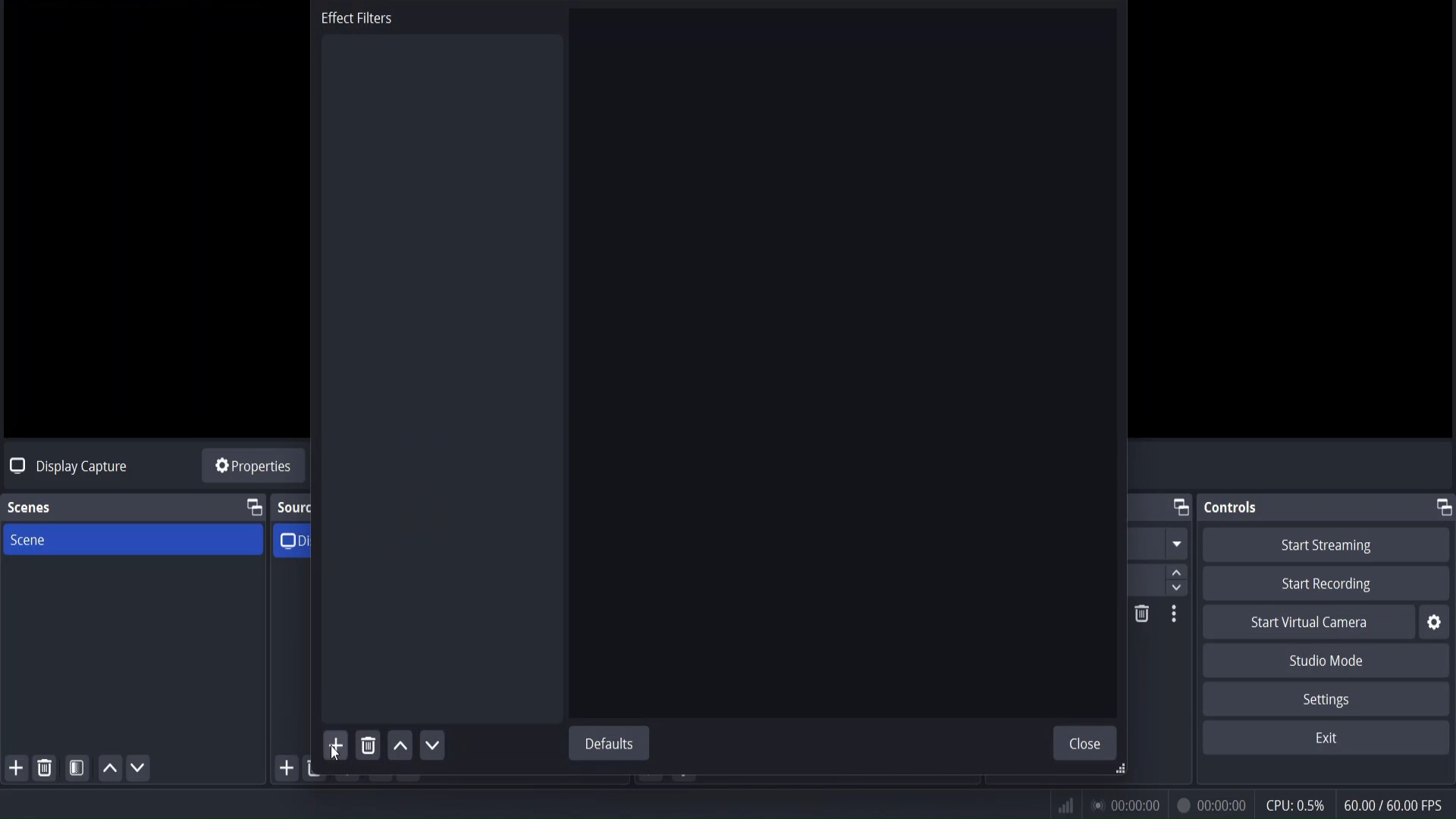  Describe the element at coordinates (1323, 699) in the screenshot. I see `settings` at that location.